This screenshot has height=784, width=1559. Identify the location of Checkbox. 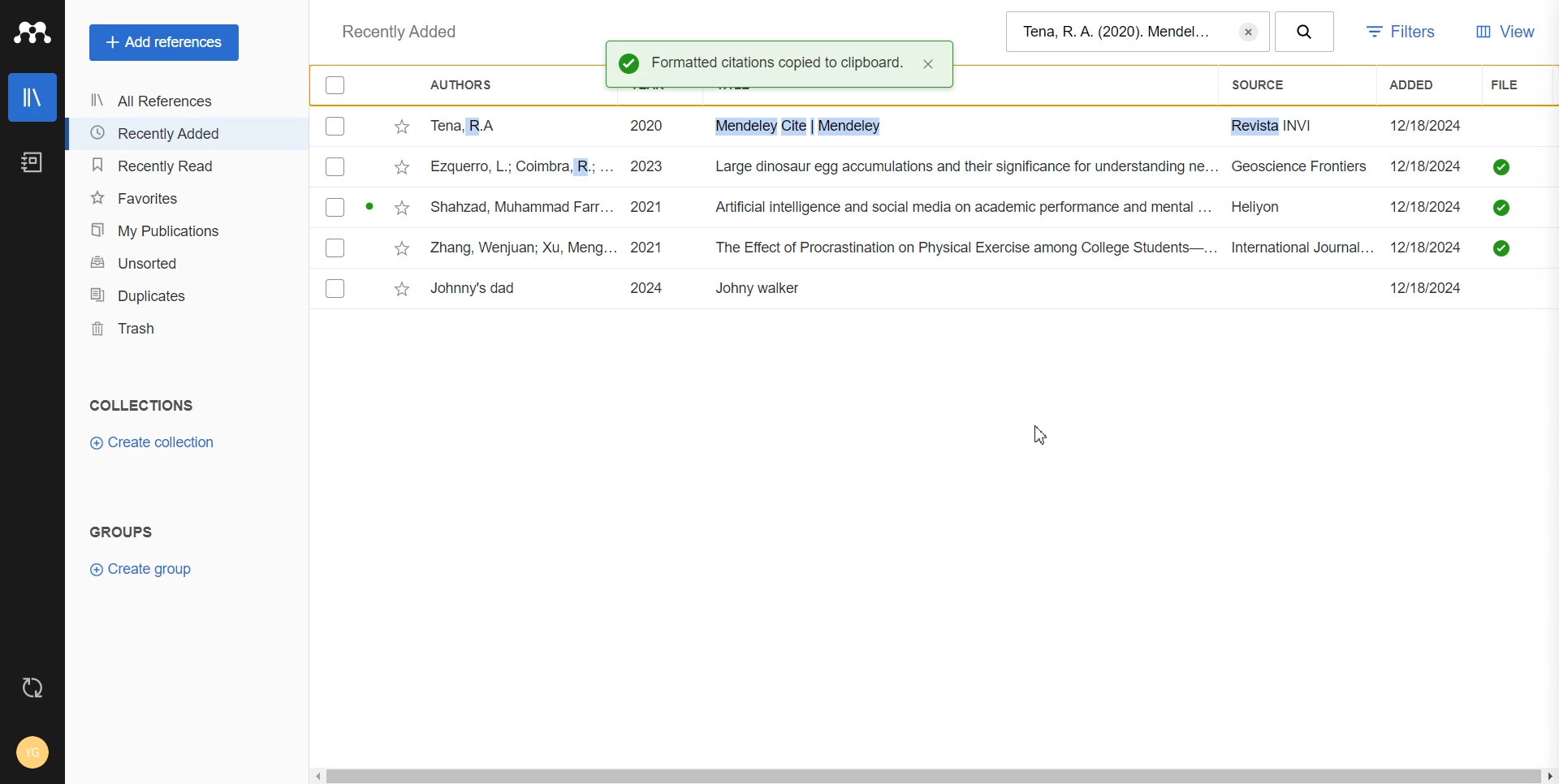
(335, 248).